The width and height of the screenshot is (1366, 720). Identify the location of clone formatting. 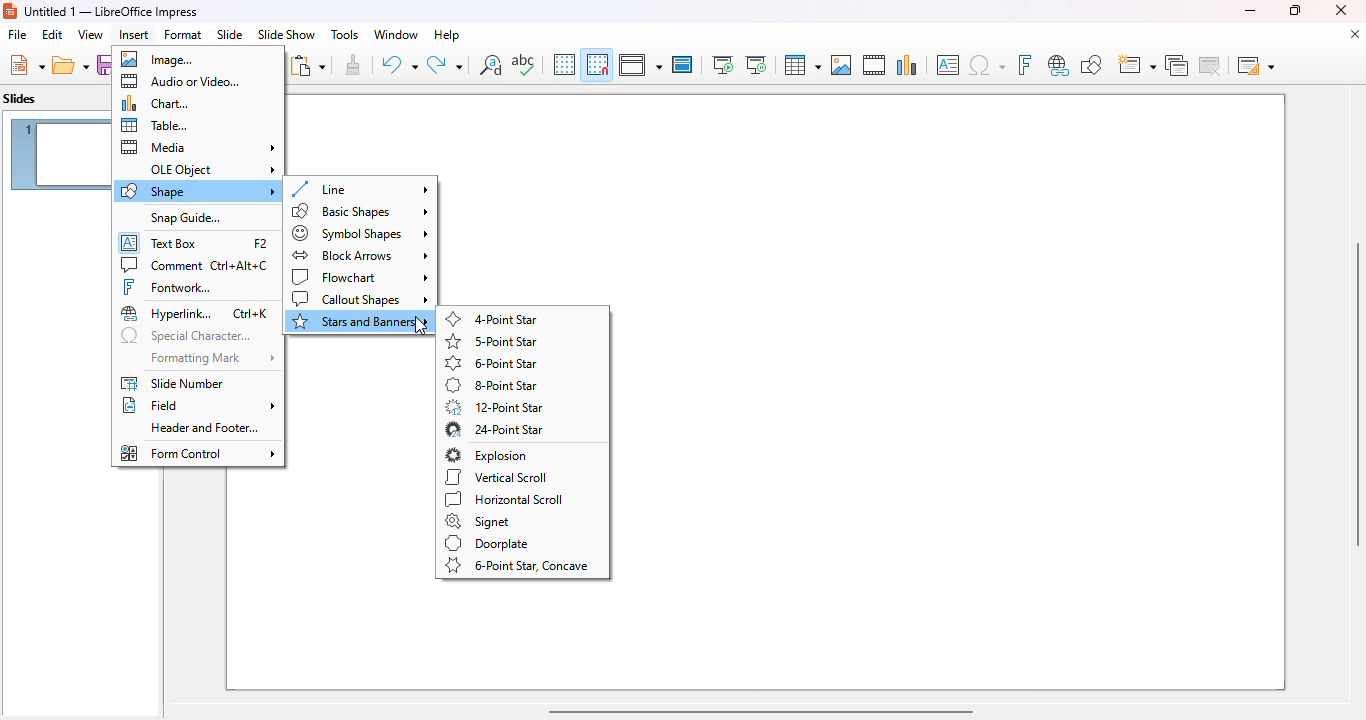
(354, 65).